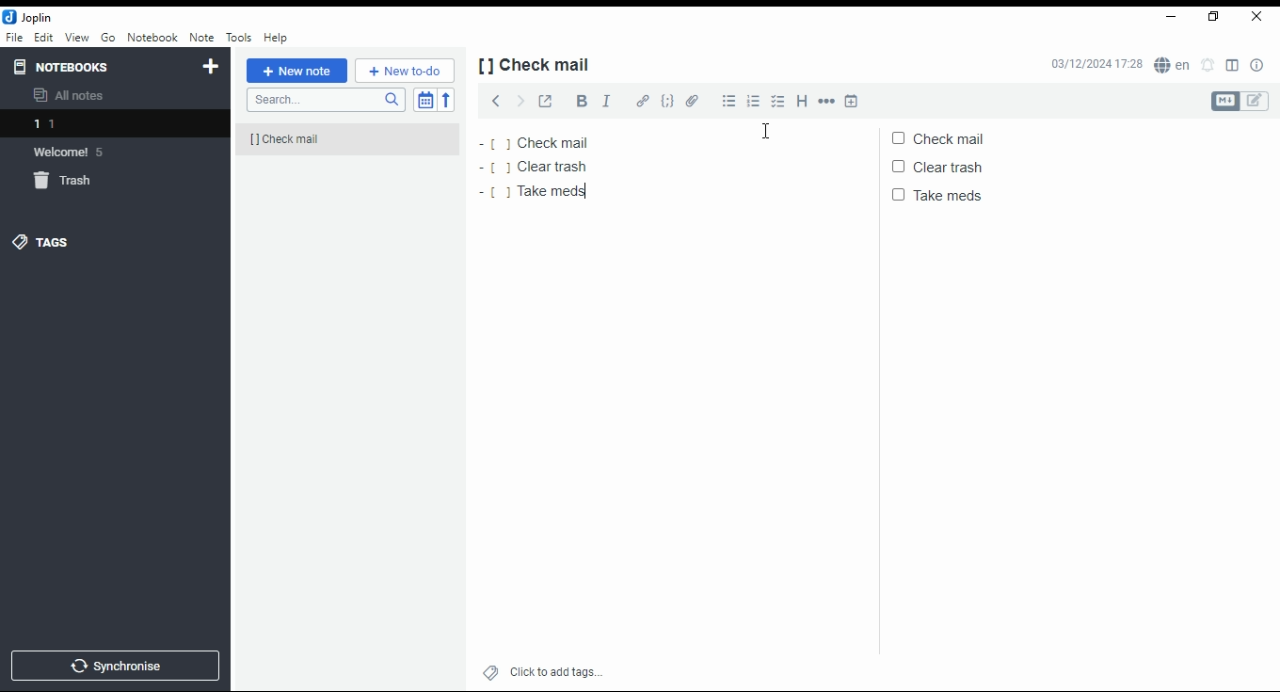 This screenshot has height=692, width=1280. What do you see at coordinates (78, 38) in the screenshot?
I see `view` at bounding box center [78, 38].